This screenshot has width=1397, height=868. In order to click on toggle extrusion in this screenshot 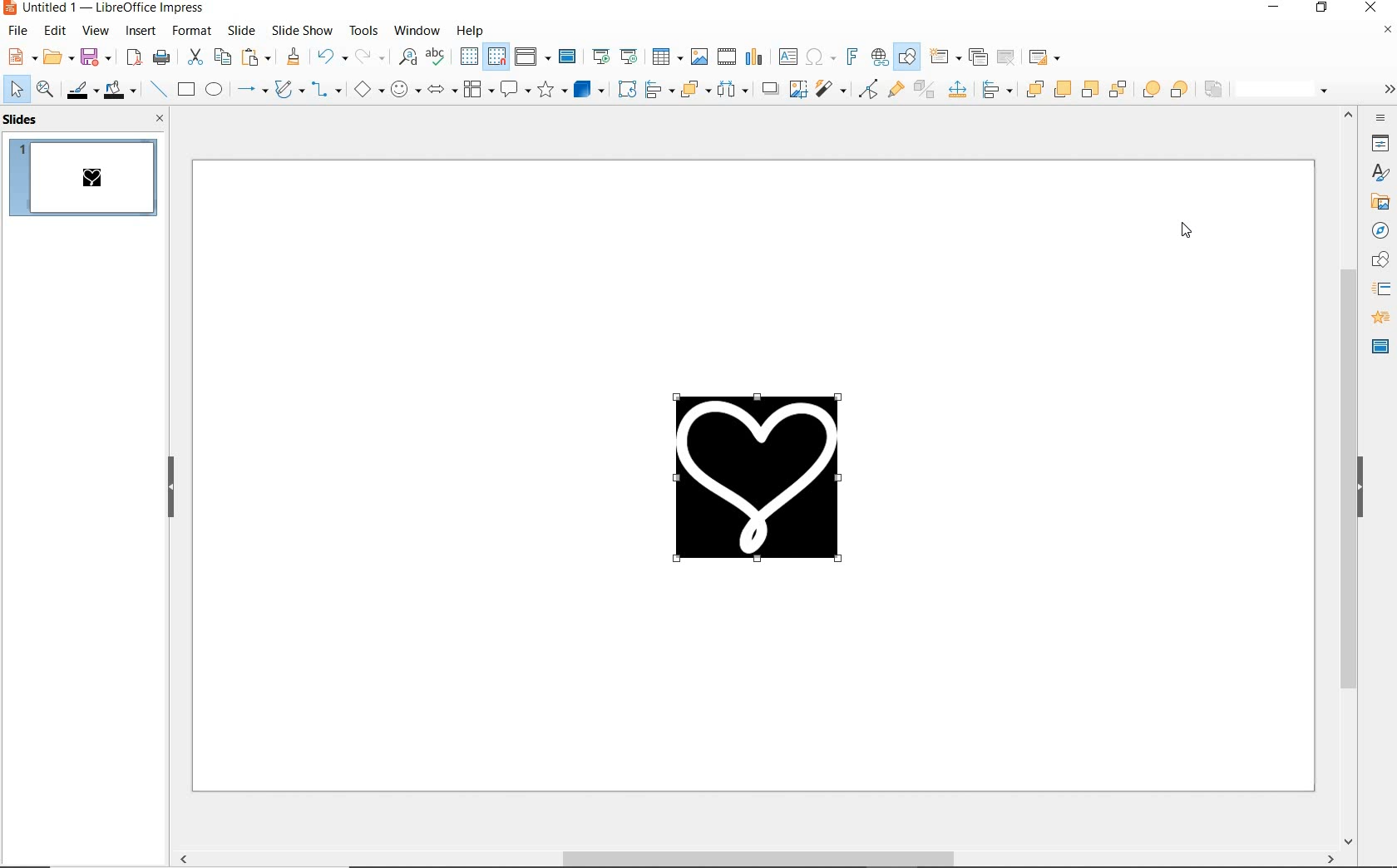, I will do `click(924, 91)`.